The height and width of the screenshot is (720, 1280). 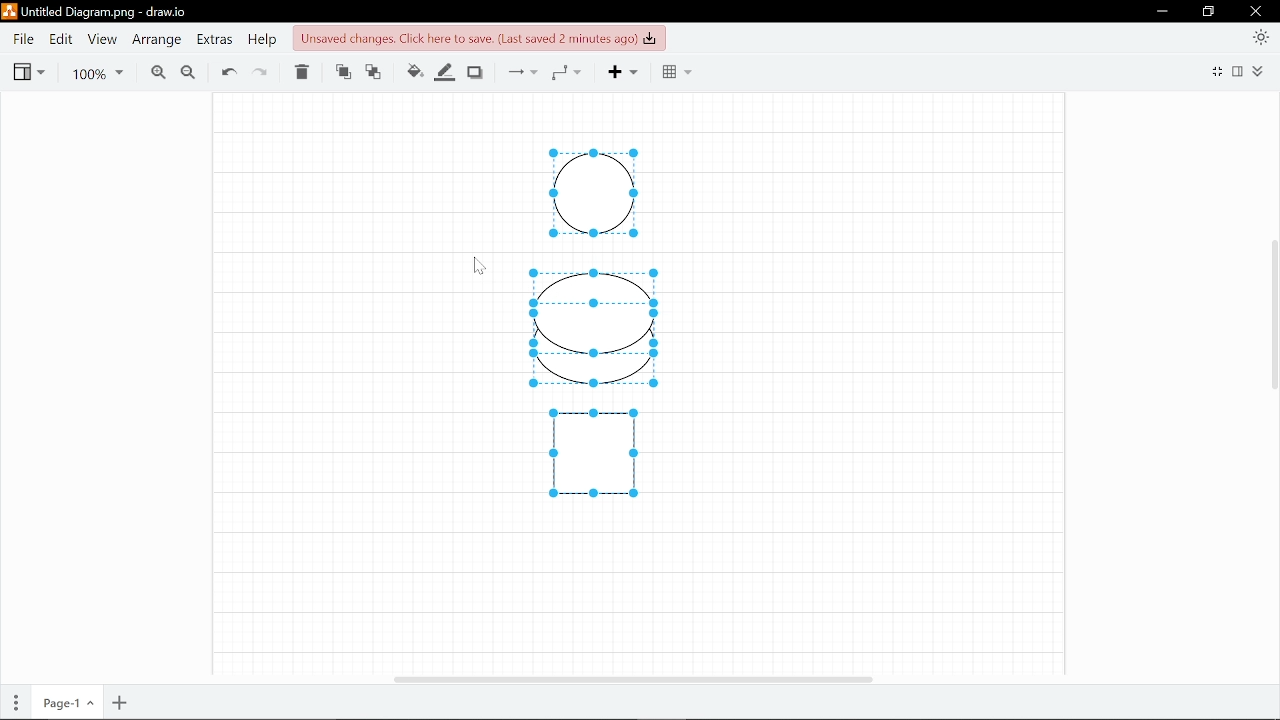 What do you see at coordinates (264, 72) in the screenshot?
I see `Redo` at bounding box center [264, 72].